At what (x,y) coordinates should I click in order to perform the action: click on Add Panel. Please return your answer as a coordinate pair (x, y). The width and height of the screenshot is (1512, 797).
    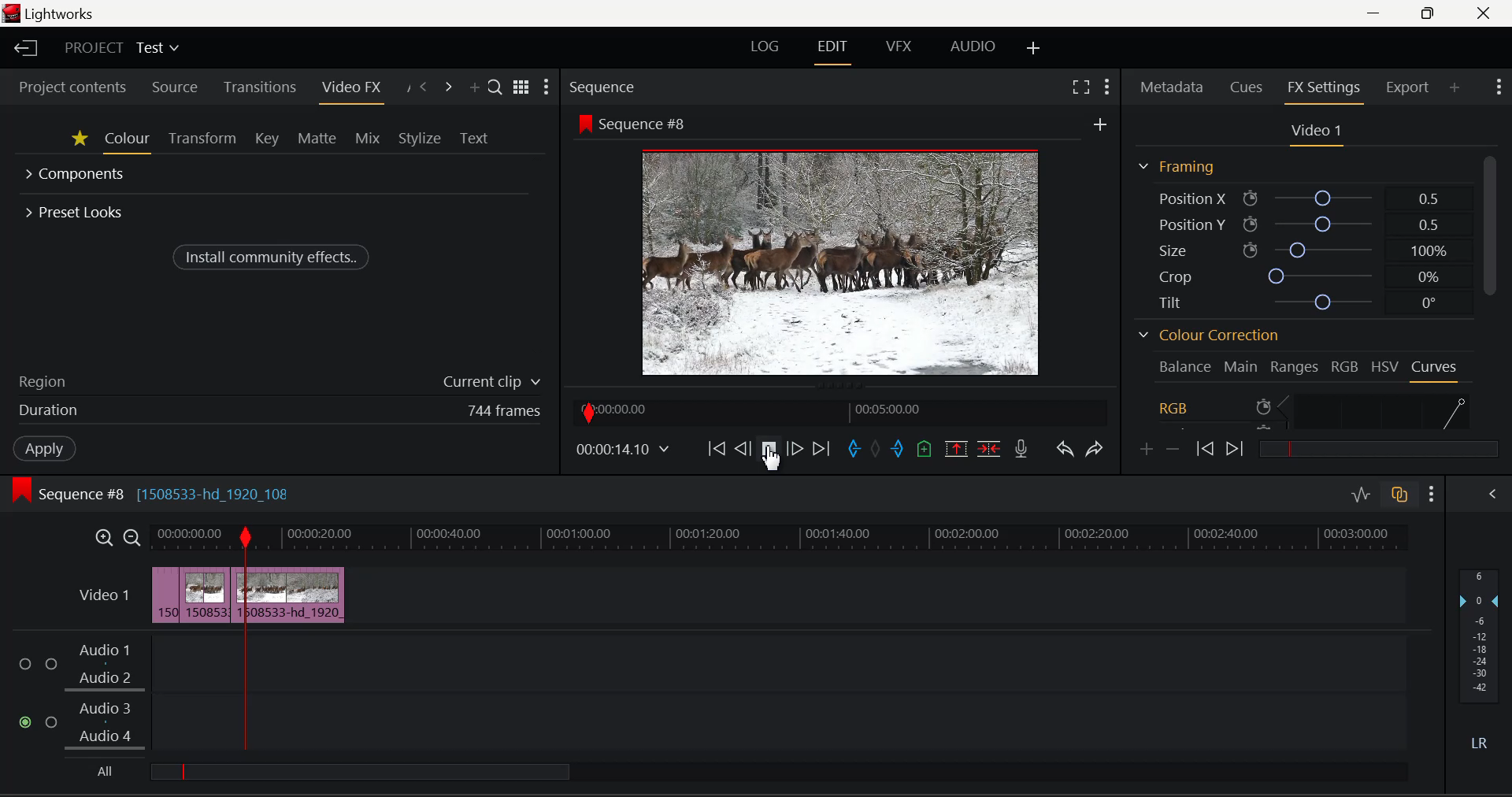
    Looking at the image, I should click on (1455, 87).